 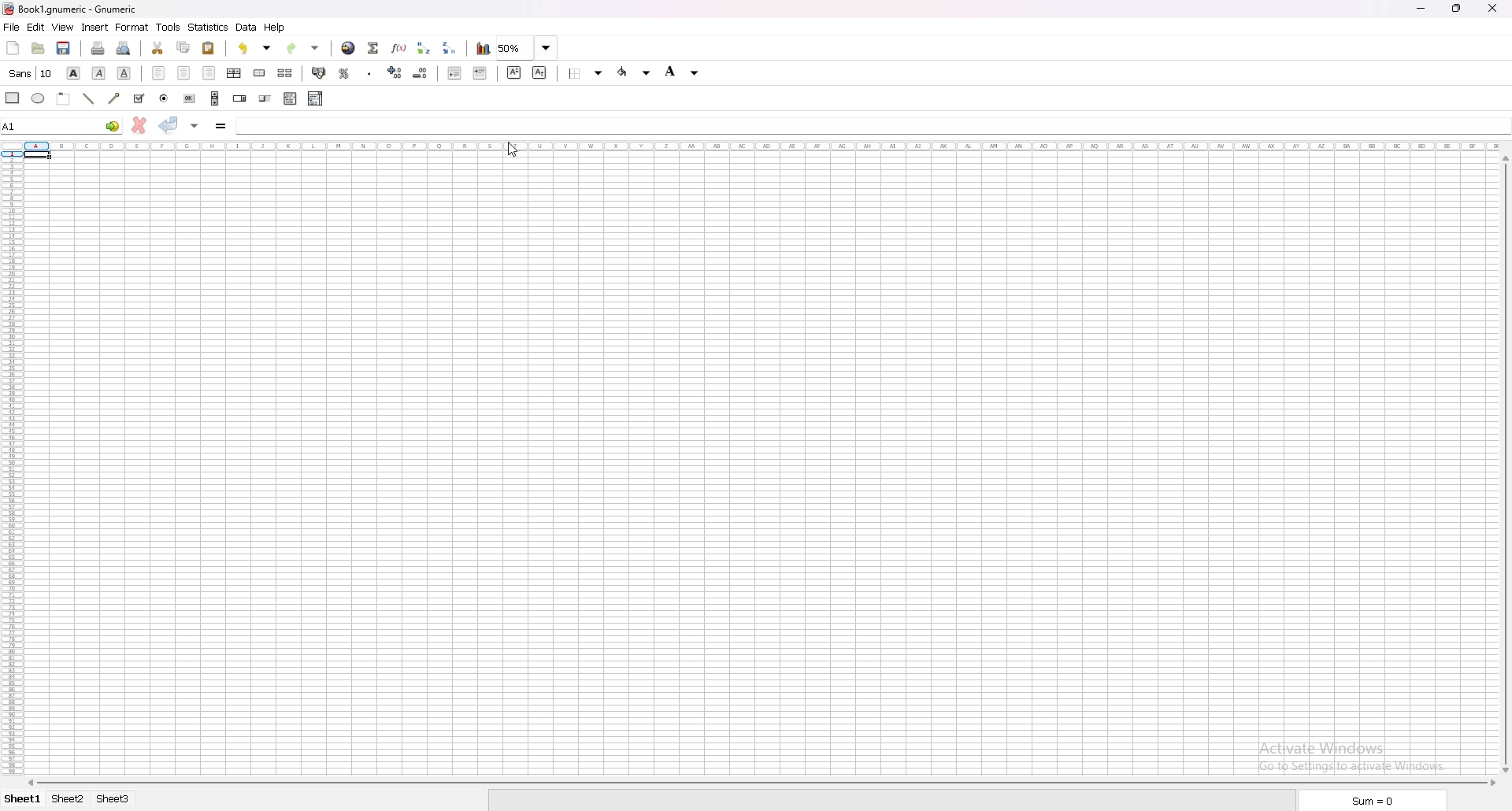 I want to click on slider, so click(x=265, y=99).